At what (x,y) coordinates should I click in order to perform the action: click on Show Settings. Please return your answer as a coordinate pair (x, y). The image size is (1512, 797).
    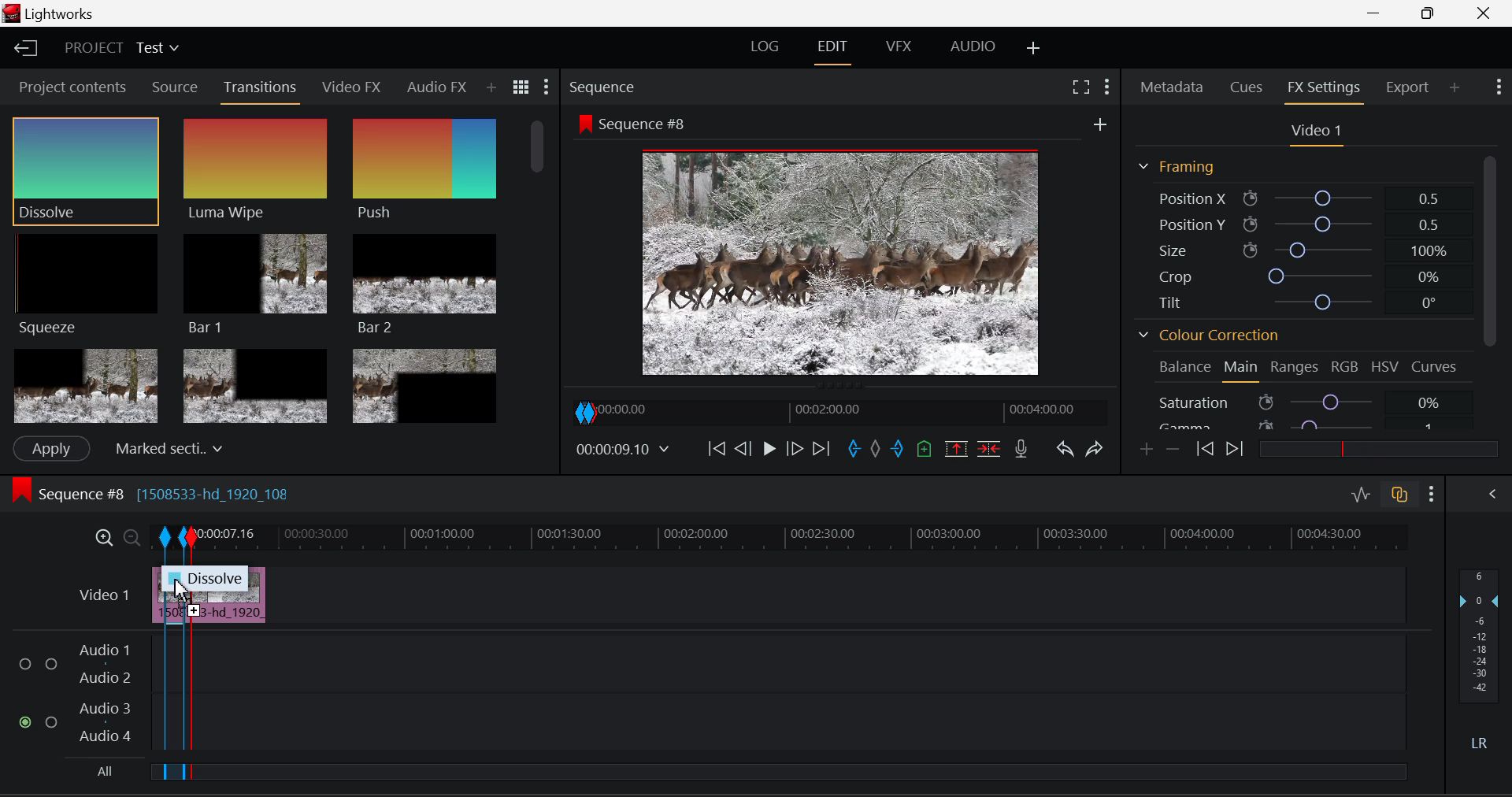
    Looking at the image, I should click on (1499, 87).